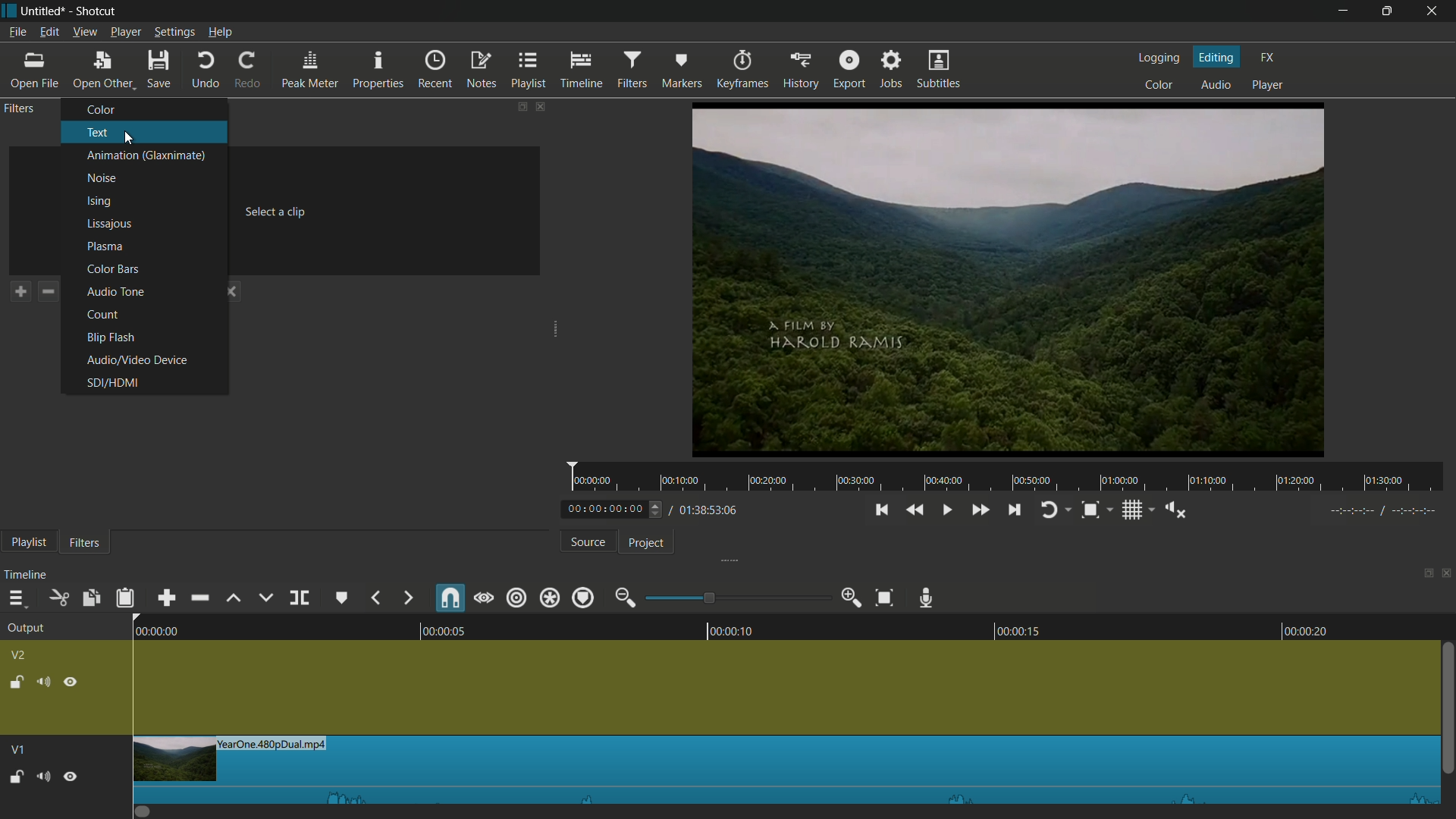 The height and width of the screenshot is (819, 1456). I want to click on save, so click(158, 71).